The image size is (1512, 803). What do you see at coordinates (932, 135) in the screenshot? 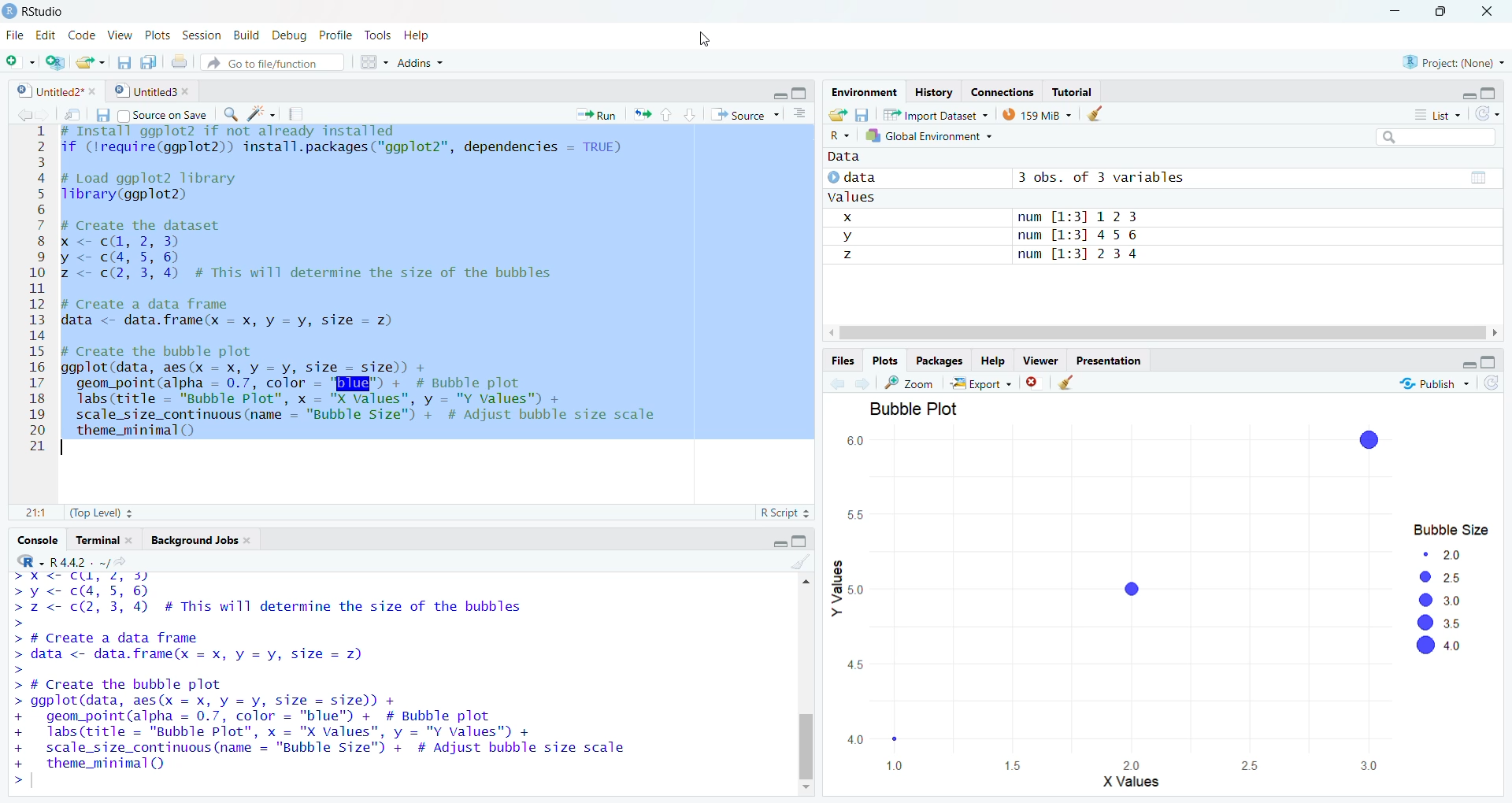
I see `7 Global Environment ~` at bounding box center [932, 135].